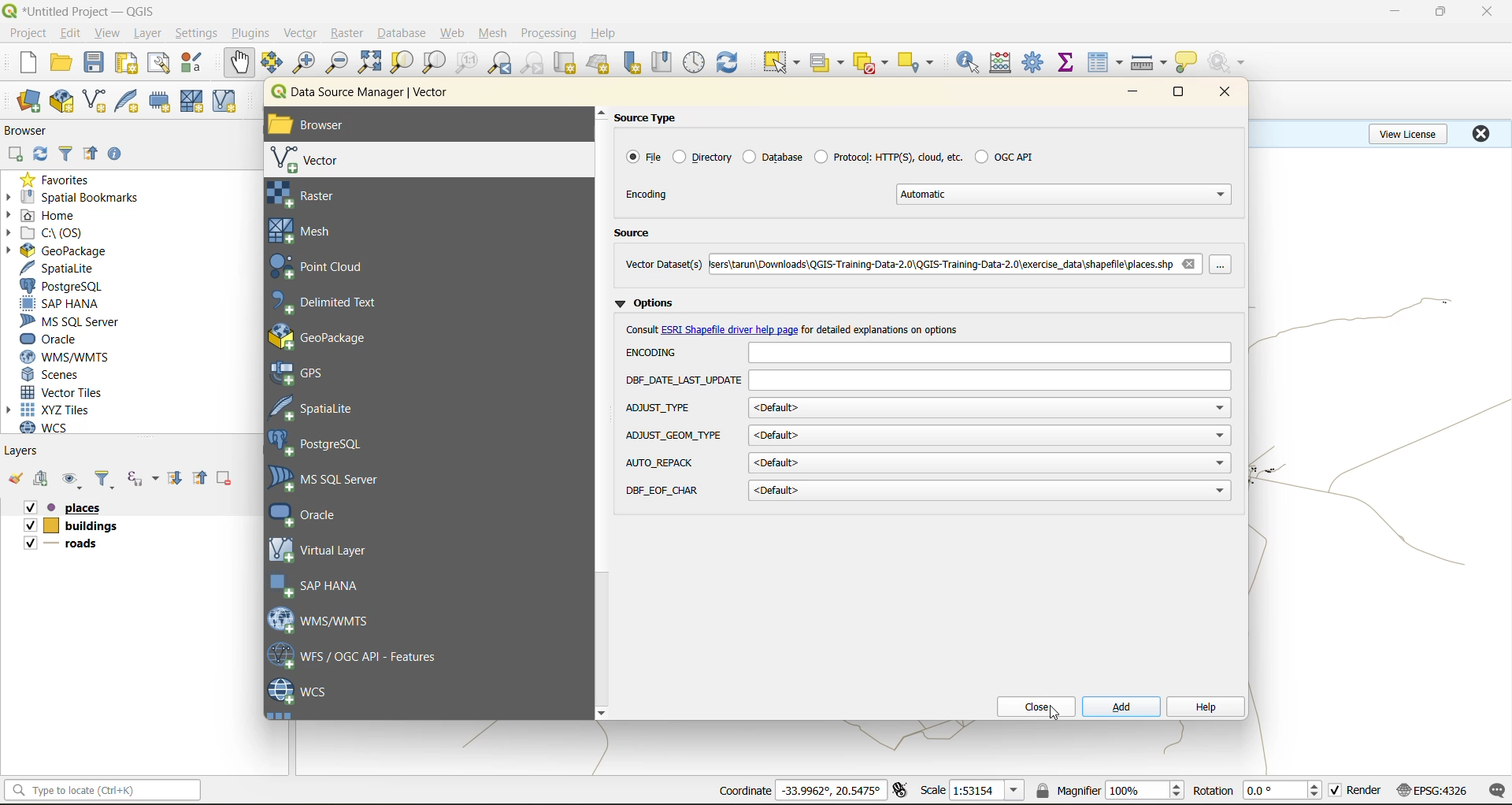  Describe the element at coordinates (327, 619) in the screenshot. I see `wms/wmts` at that location.